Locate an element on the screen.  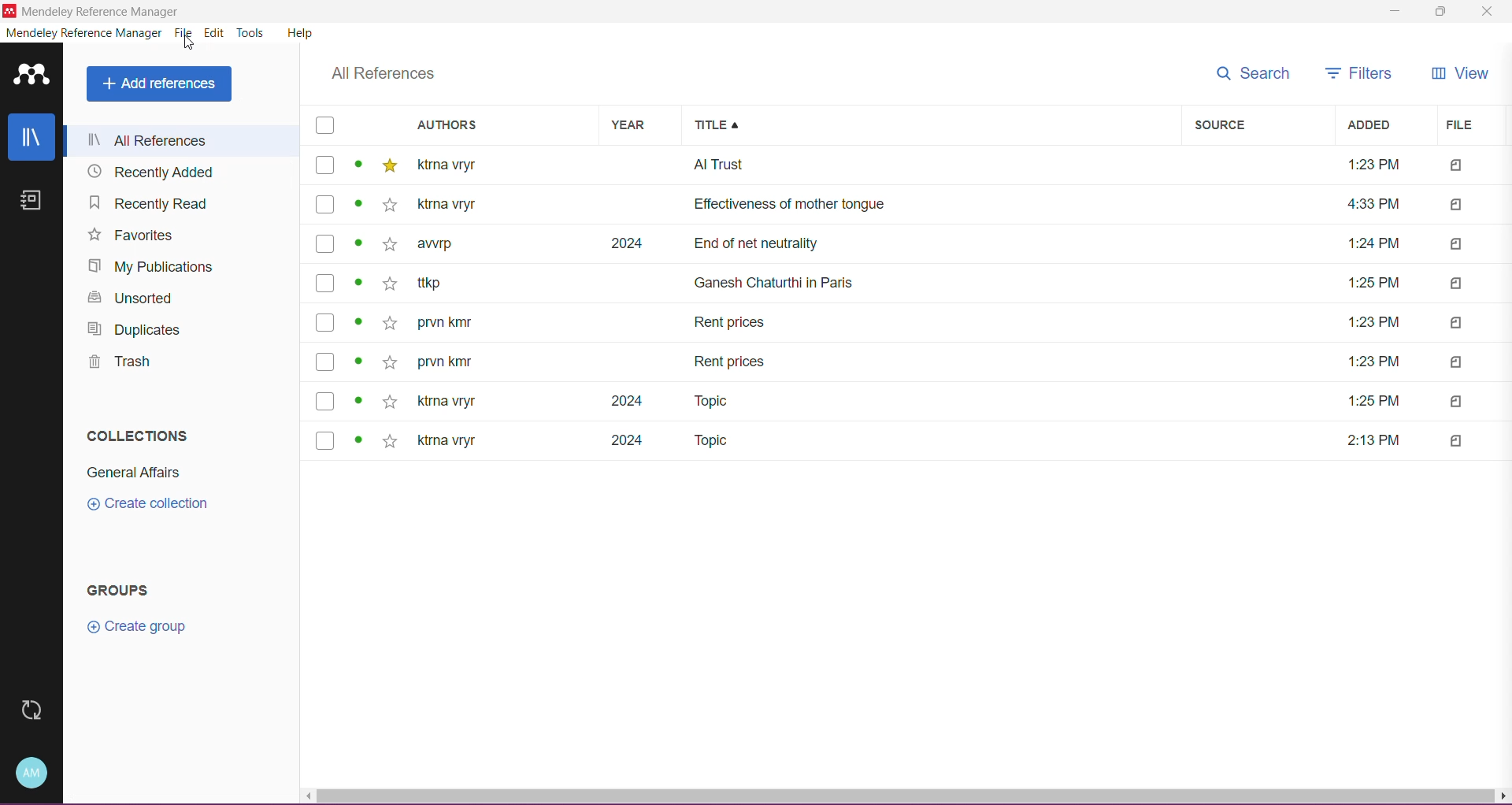
Favorites is located at coordinates (129, 236).